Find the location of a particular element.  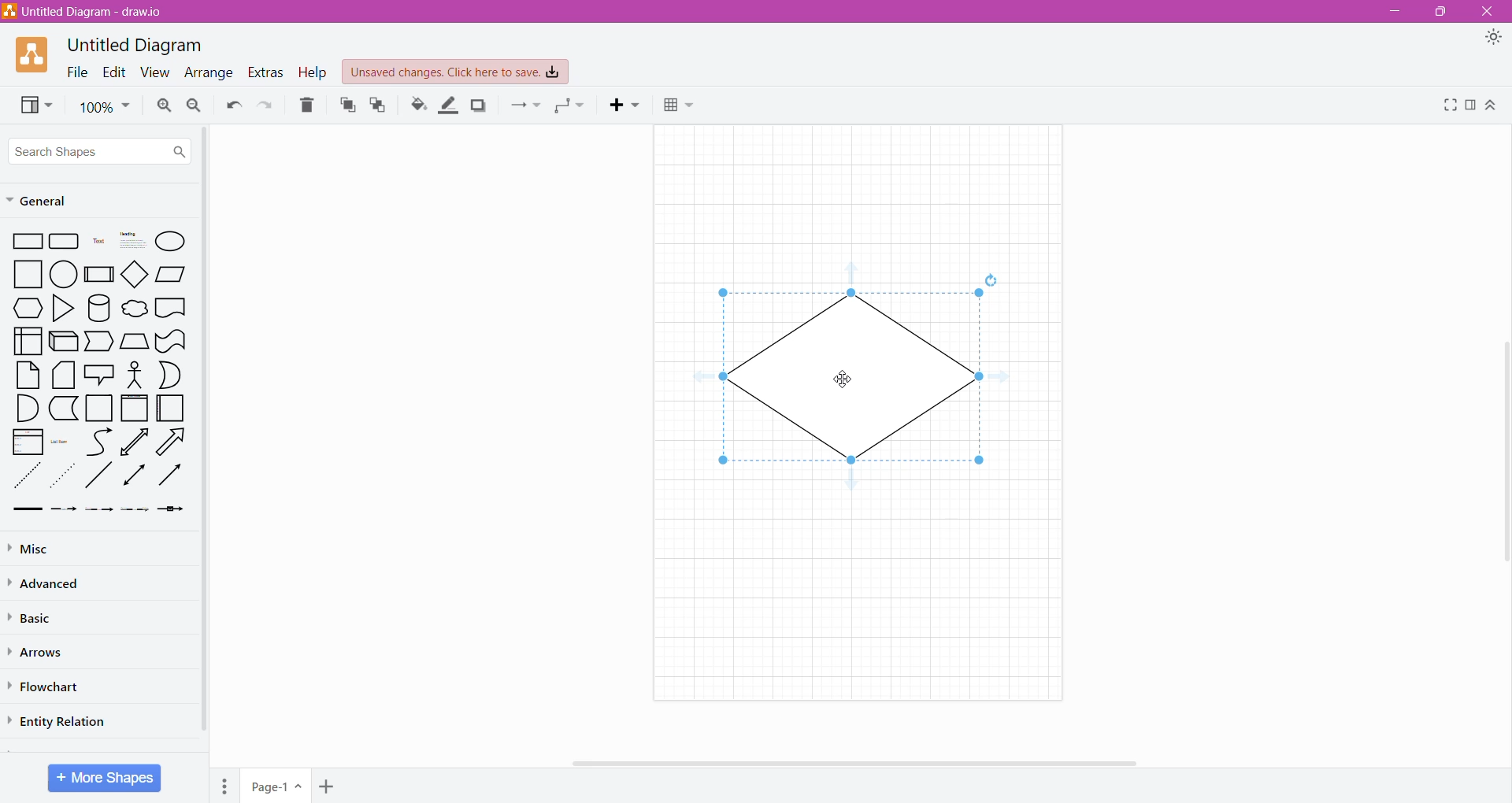

Undo is located at coordinates (234, 105).